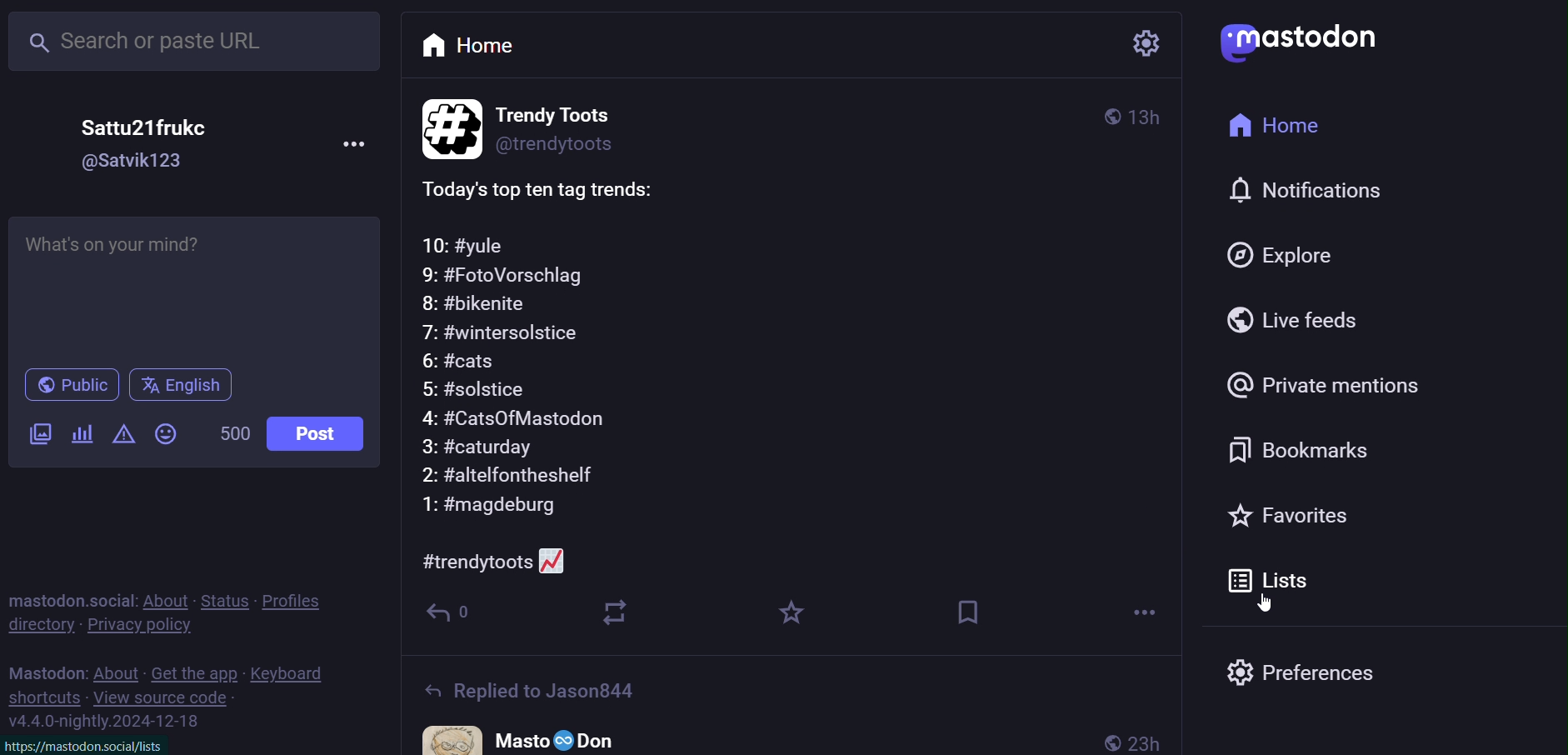  What do you see at coordinates (323, 434) in the screenshot?
I see `post` at bounding box center [323, 434].